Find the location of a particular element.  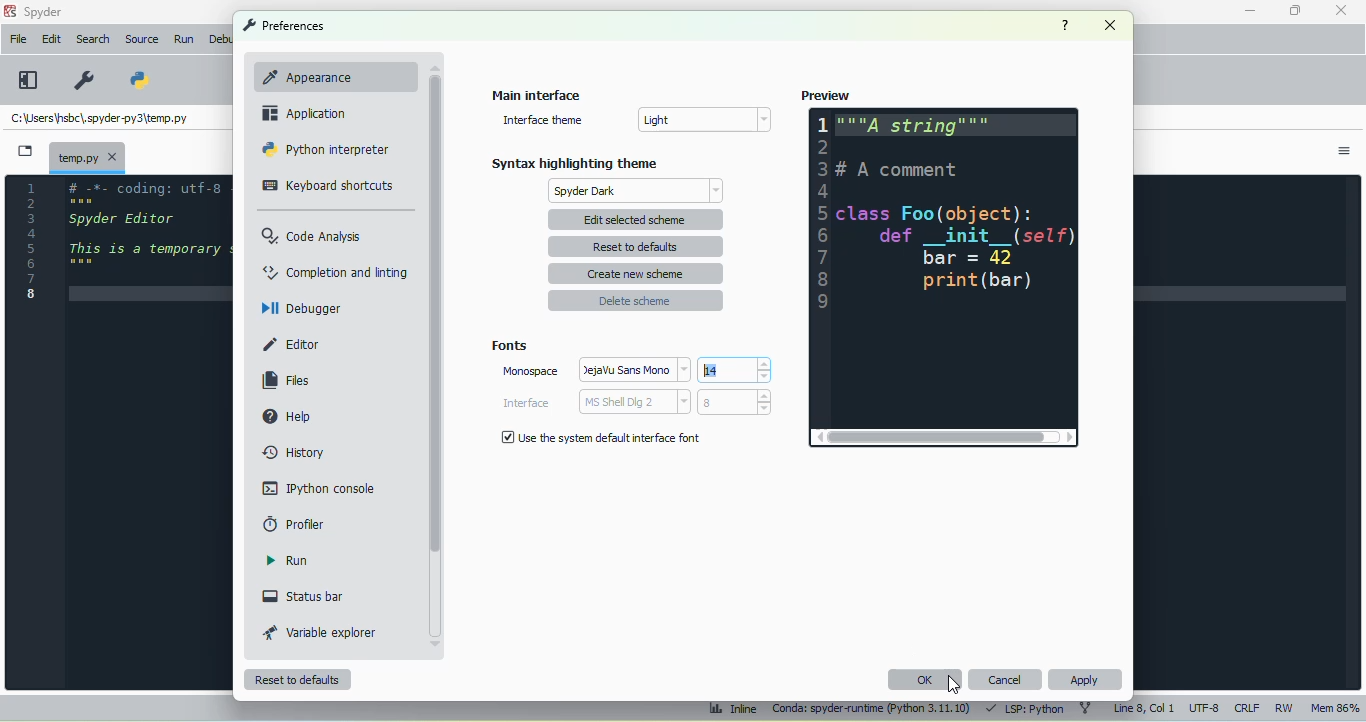

conda: spyder-runtime (python 3. 11. 10) is located at coordinates (872, 710).